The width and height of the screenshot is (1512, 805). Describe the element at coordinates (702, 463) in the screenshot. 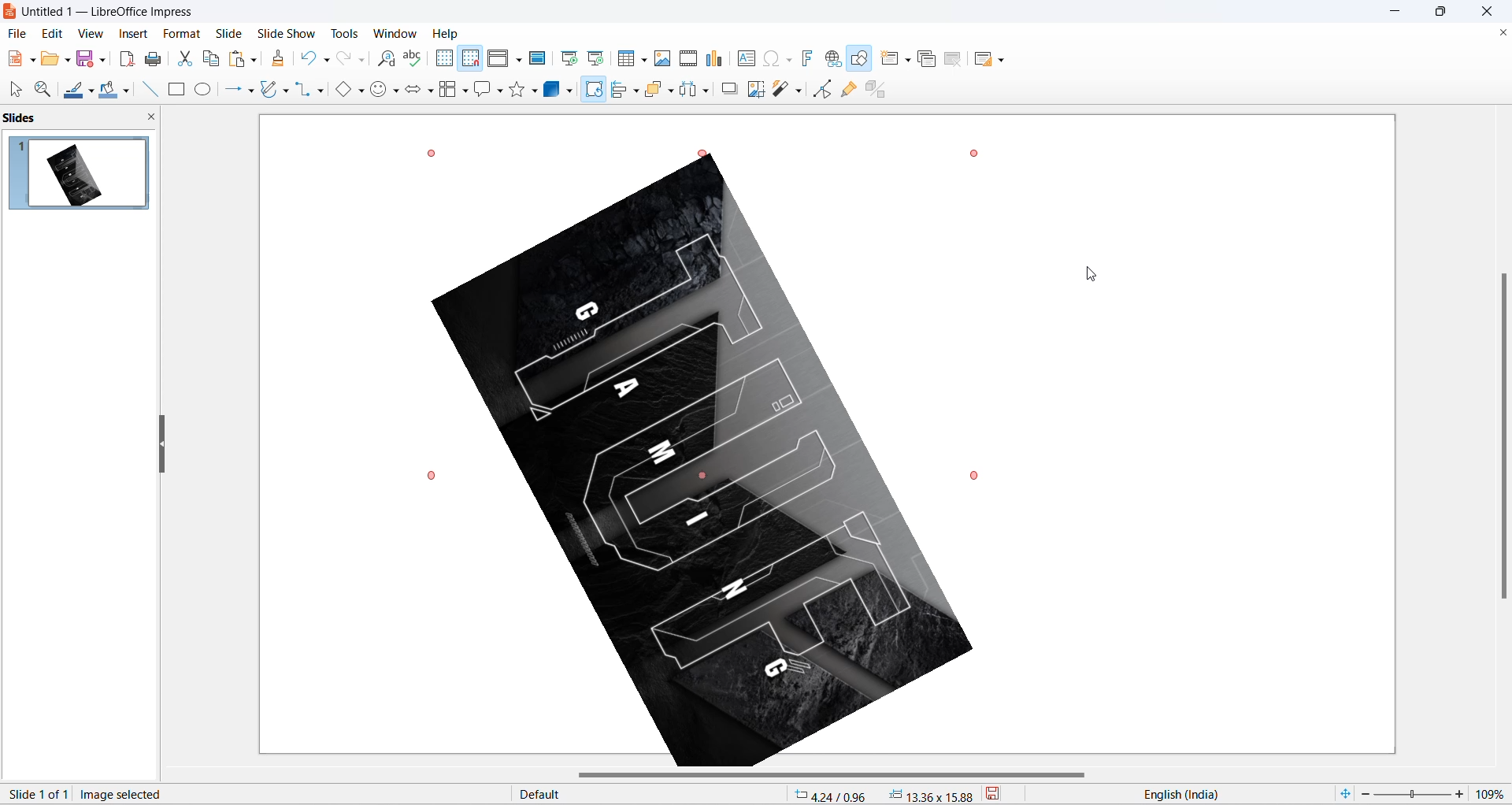

I see `rotated image` at that location.